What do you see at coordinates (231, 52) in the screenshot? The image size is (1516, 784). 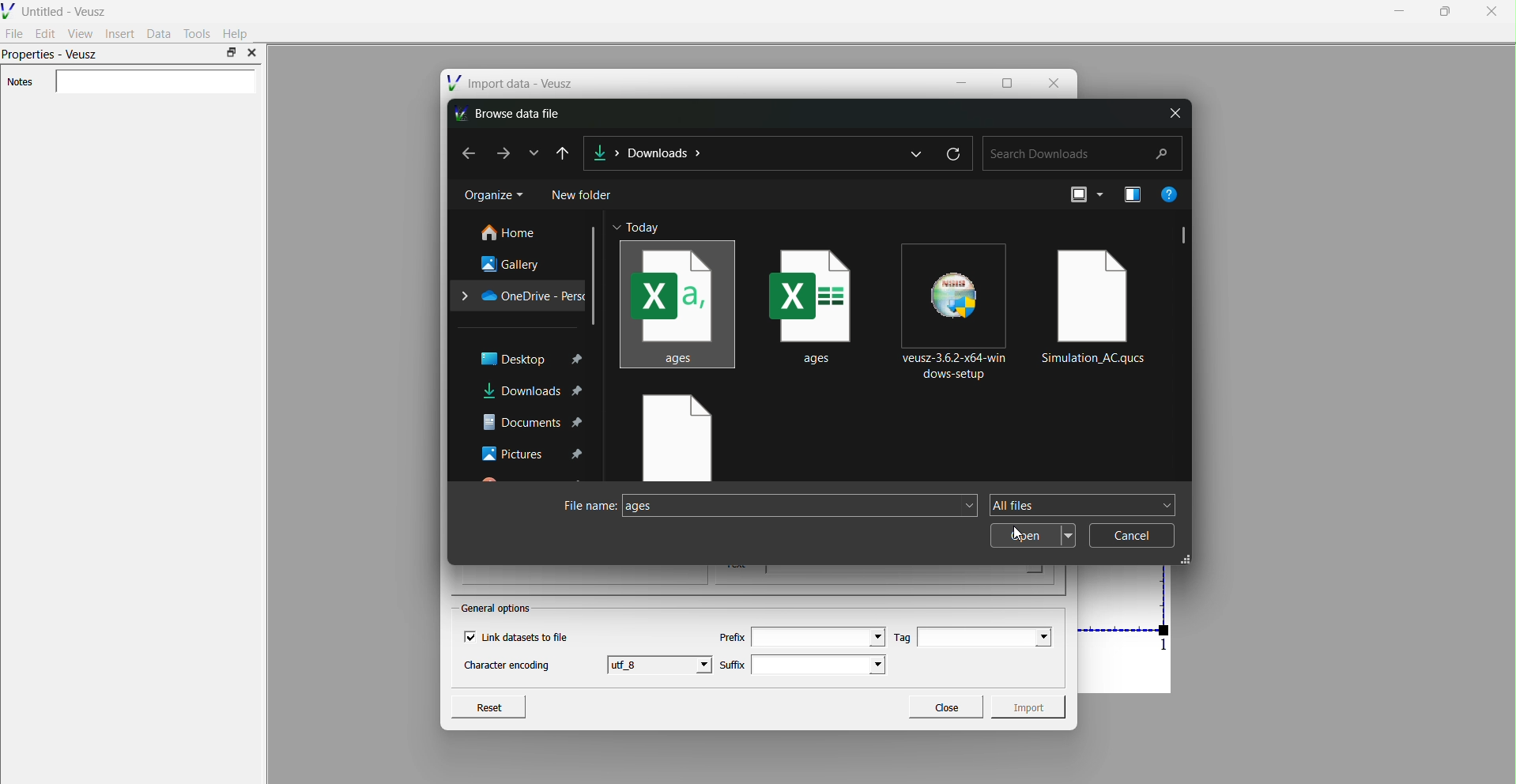 I see `maximise` at bounding box center [231, 52].